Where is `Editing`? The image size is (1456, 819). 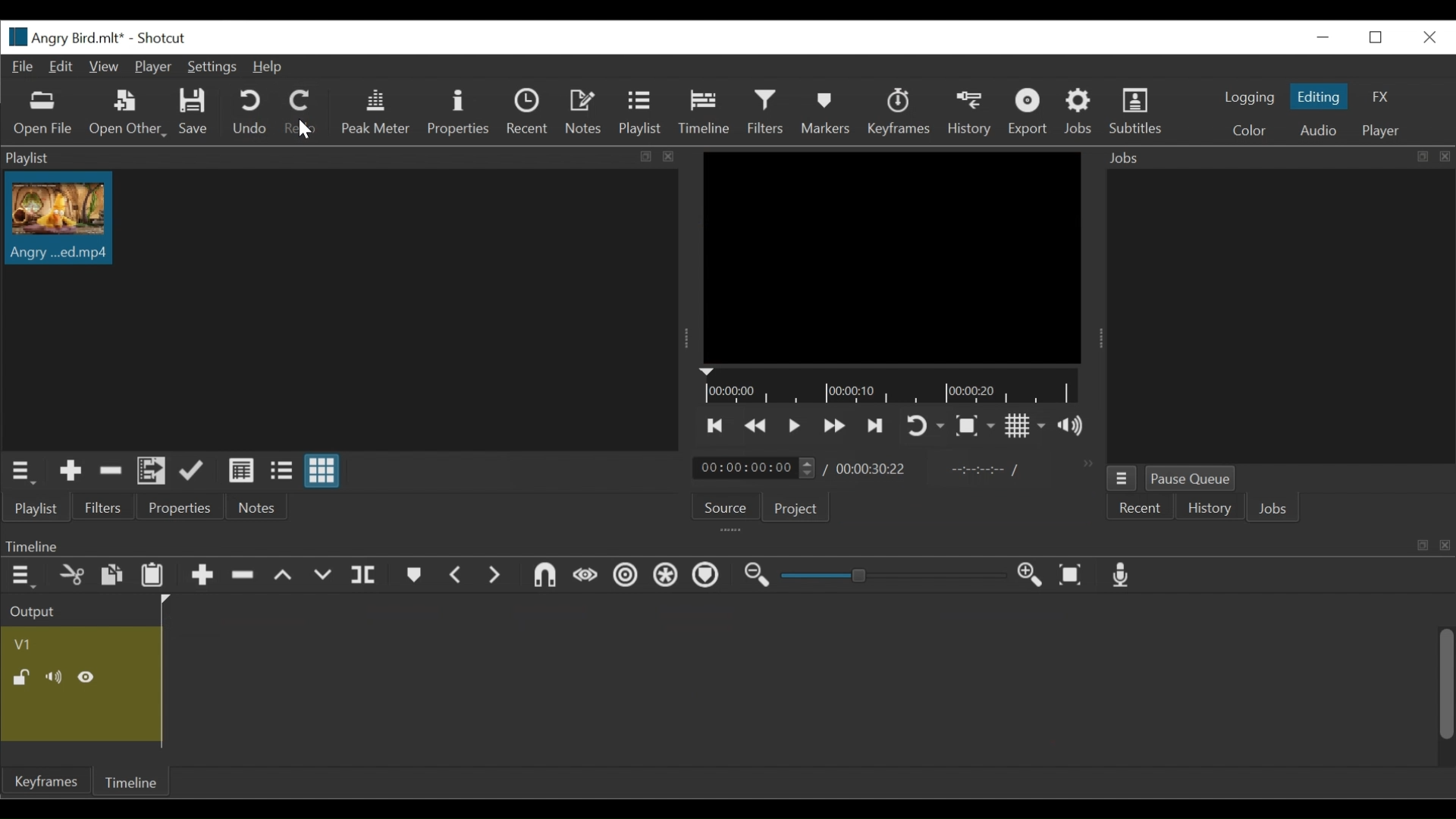
Editing is located at coordinates (1318, 96).